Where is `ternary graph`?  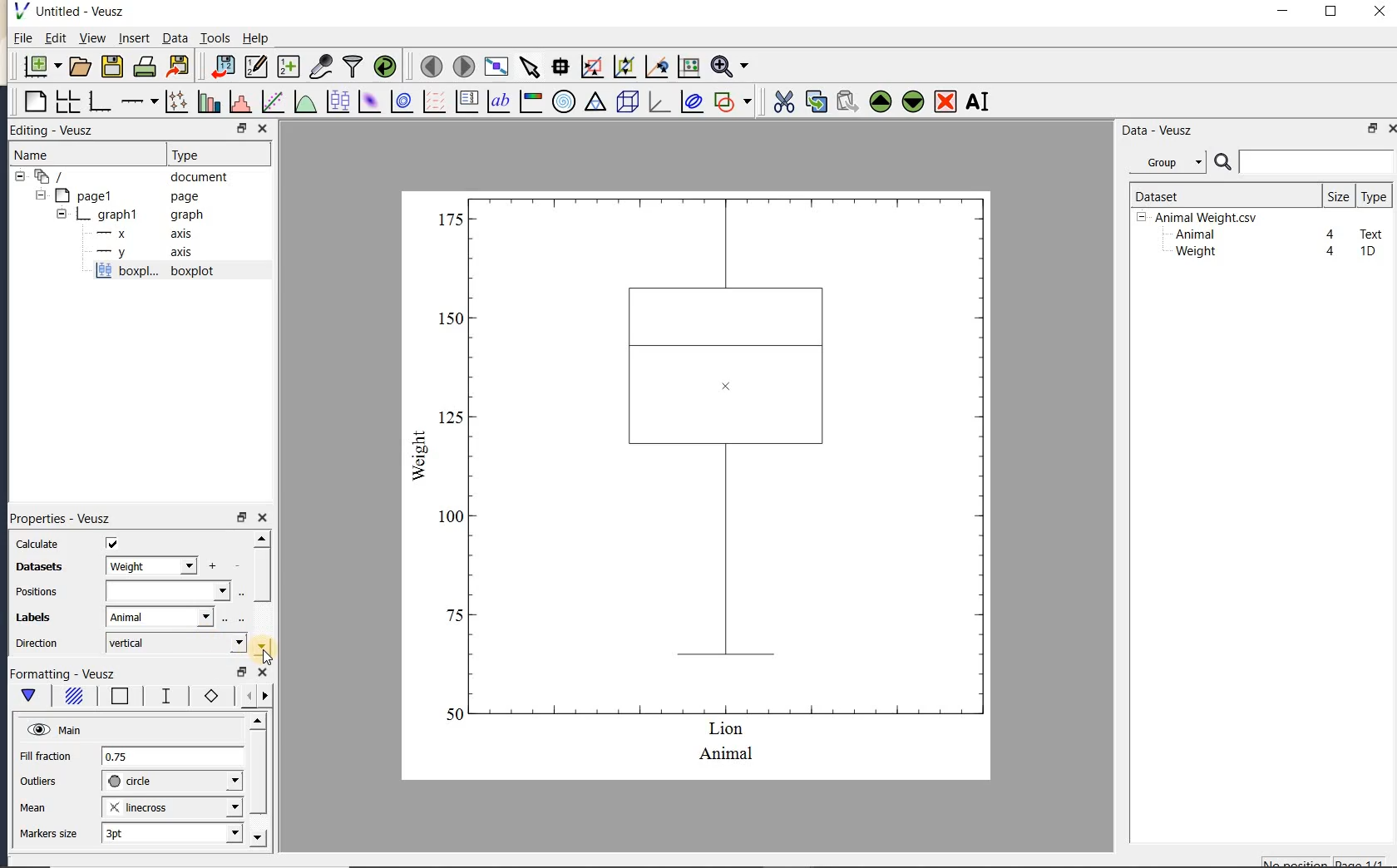 ternary graph is located at coordinates (595, 104).